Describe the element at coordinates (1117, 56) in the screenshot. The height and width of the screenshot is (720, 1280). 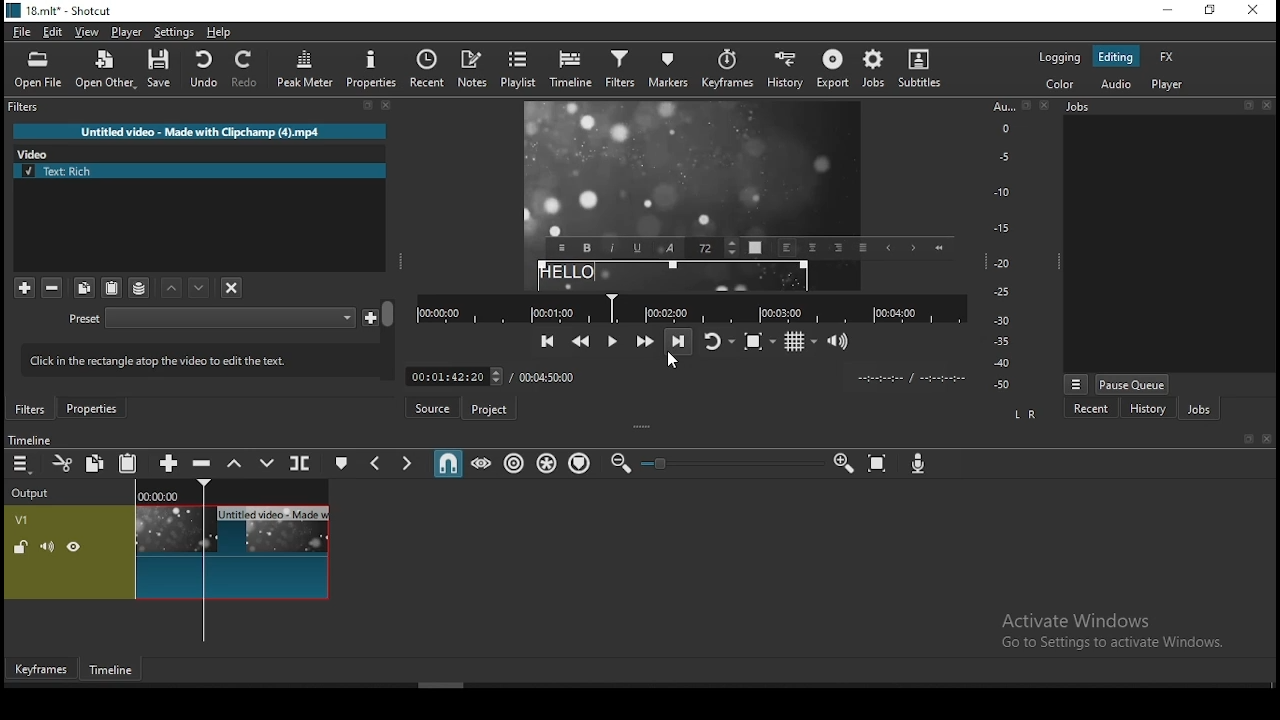
I see `editing` at that location.